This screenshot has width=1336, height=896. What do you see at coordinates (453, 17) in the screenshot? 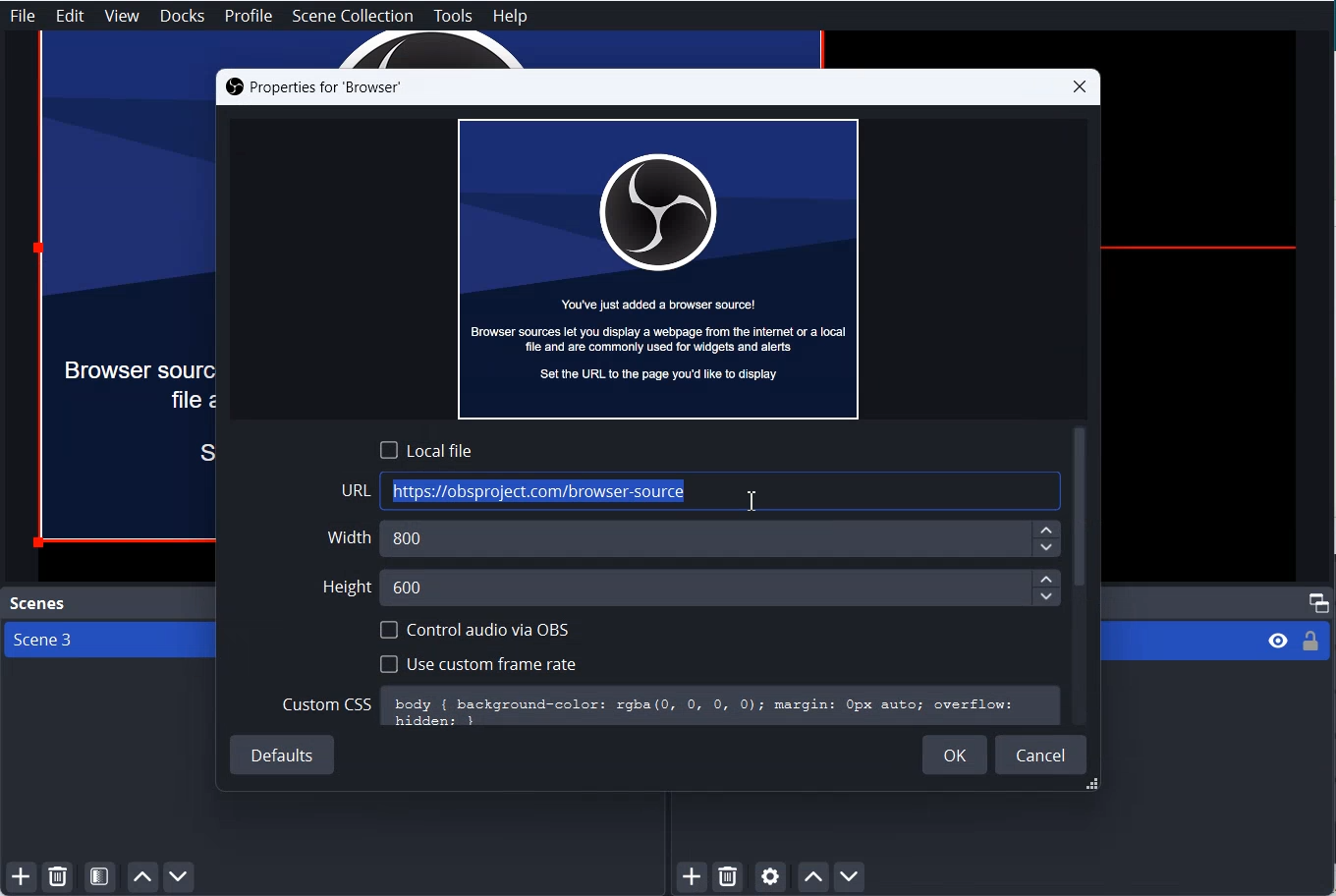
I see `Tools` at bounding box center [453, 17].